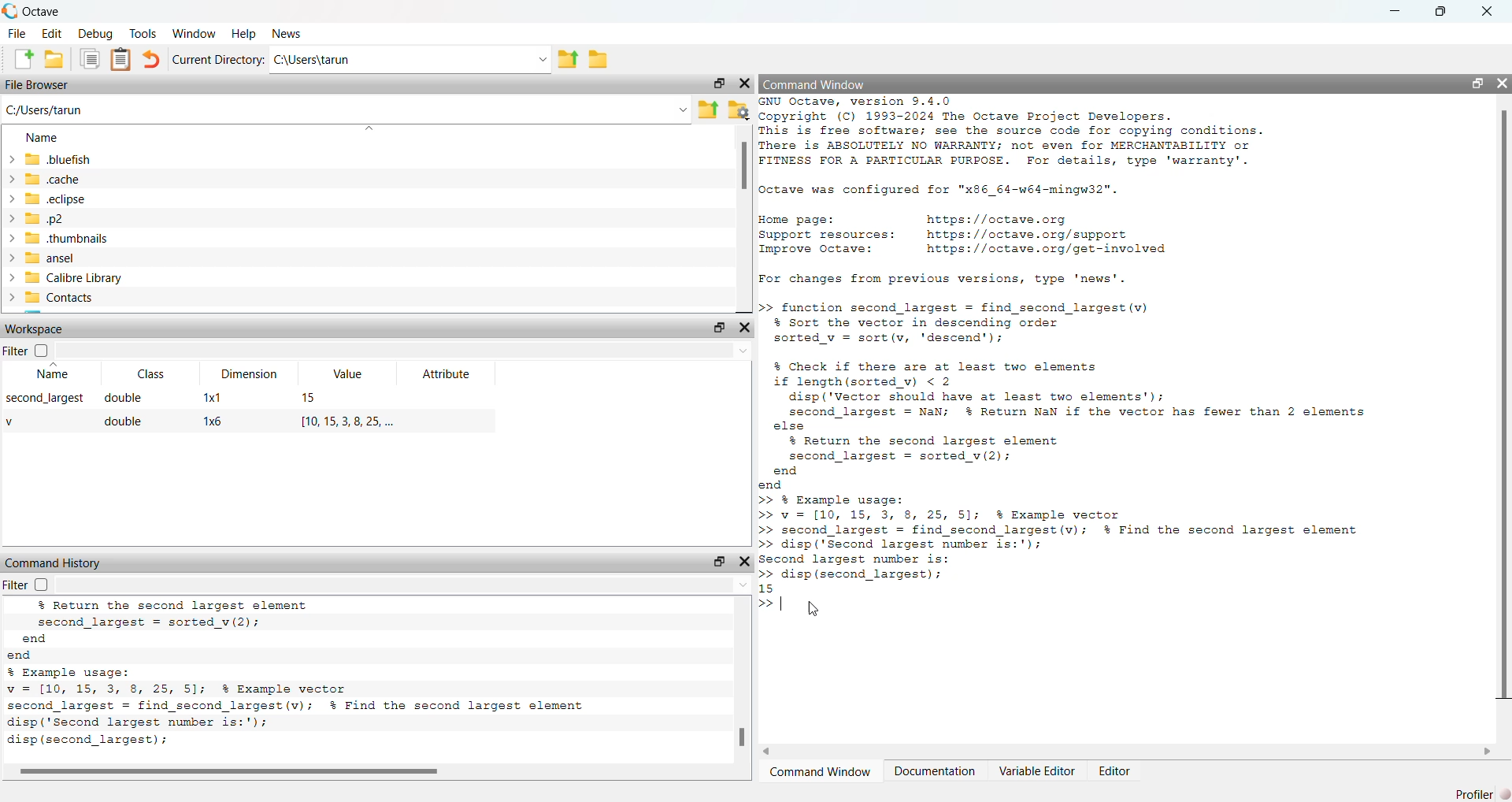 The width and height of the screenshot is (1512, 802). I want to click on second_largest, so click(41, 399).